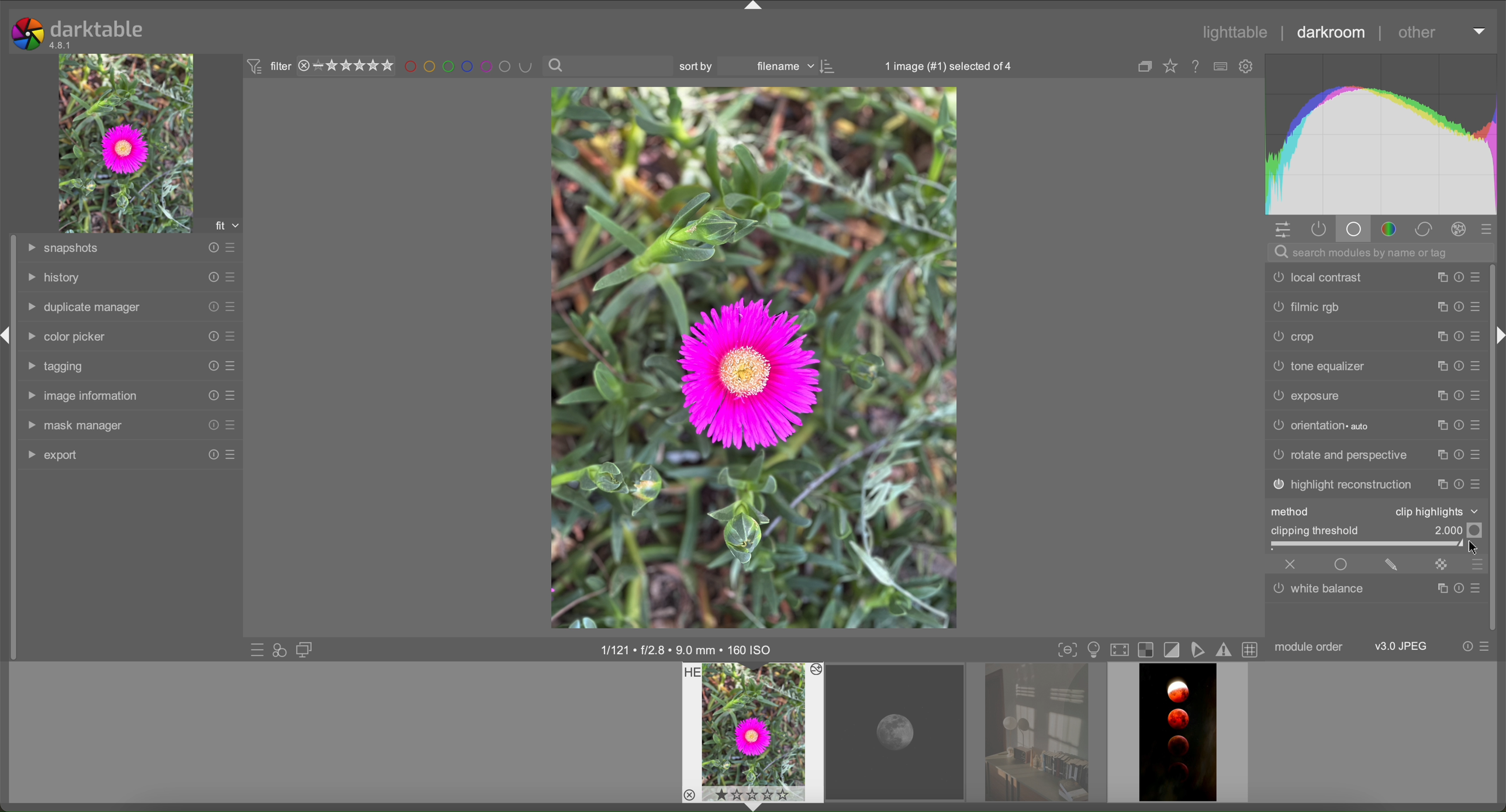 Image resolution: width=1506 pixels, height=812 pixels. I want to click on mask, so click(1441, 564).